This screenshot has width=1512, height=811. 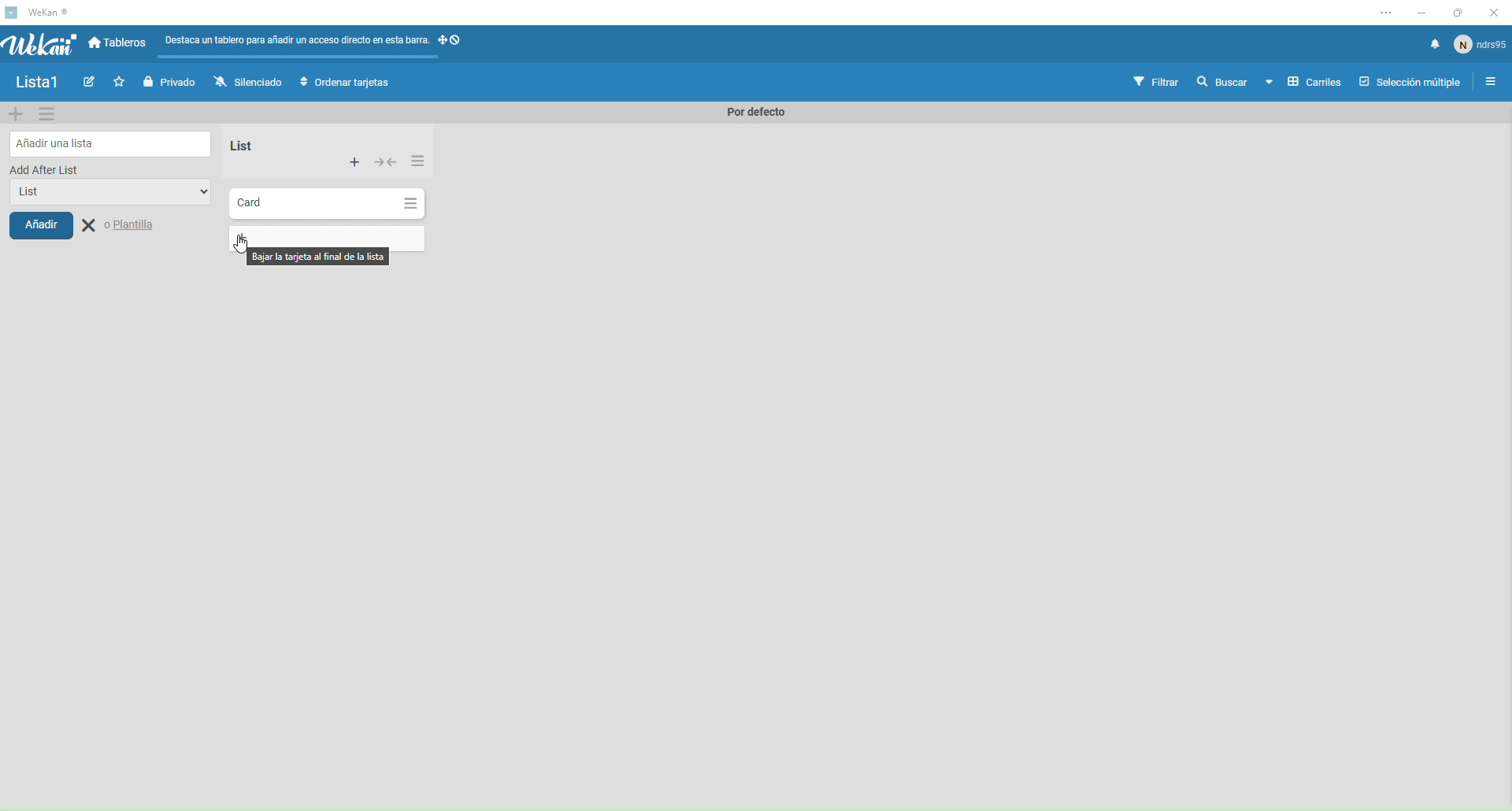 What do you see at coordinates (1453, 14) in the screenshot?
I see `maximise` at bounding box center [1453, 14].